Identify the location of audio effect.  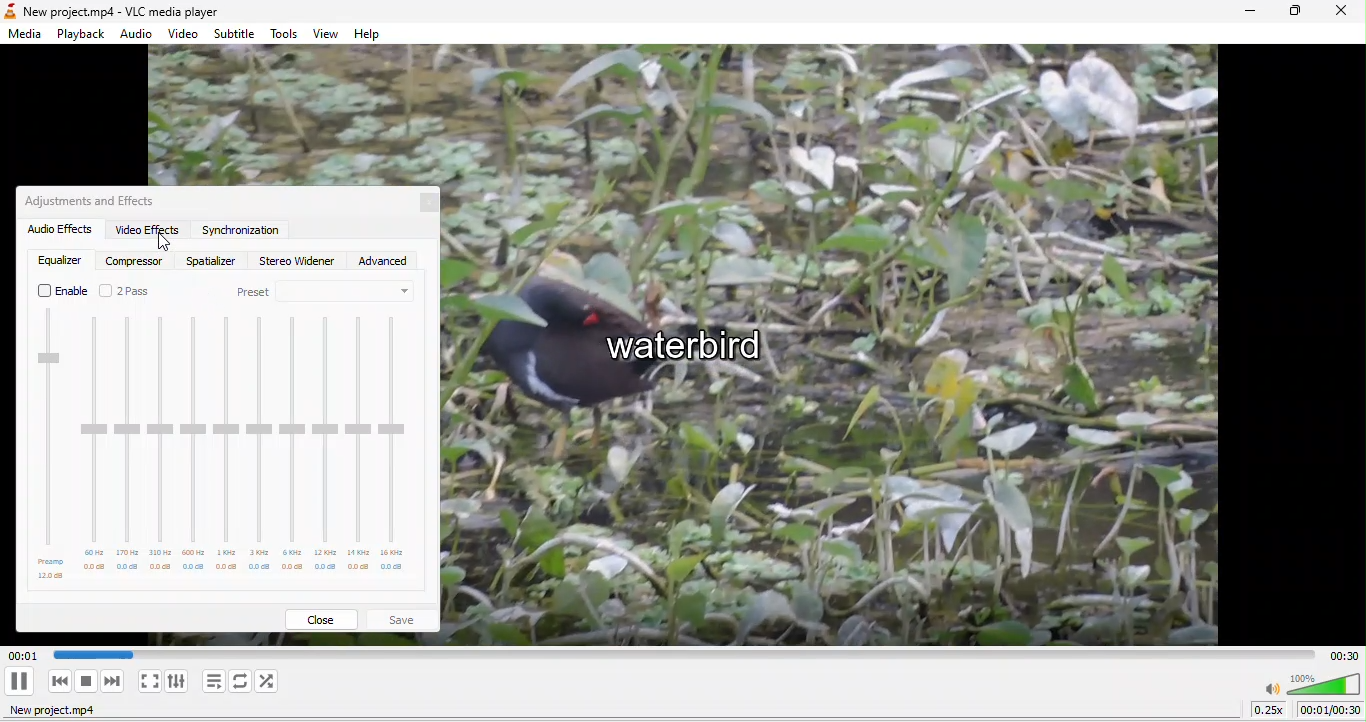
(56, 230).